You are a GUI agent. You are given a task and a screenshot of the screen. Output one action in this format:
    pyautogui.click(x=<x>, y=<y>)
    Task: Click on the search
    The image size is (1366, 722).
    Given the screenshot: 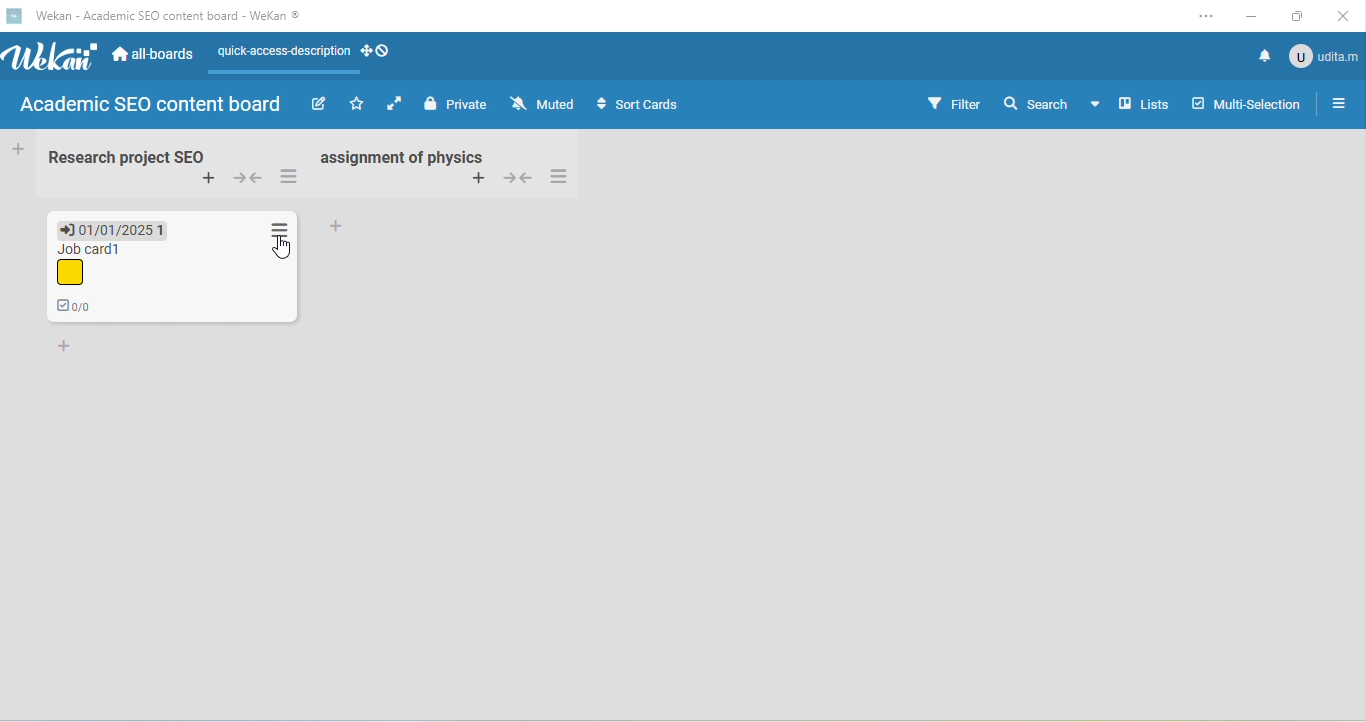 What is the action you would take?
    pyautogui.click(x=1051, y=101)
    